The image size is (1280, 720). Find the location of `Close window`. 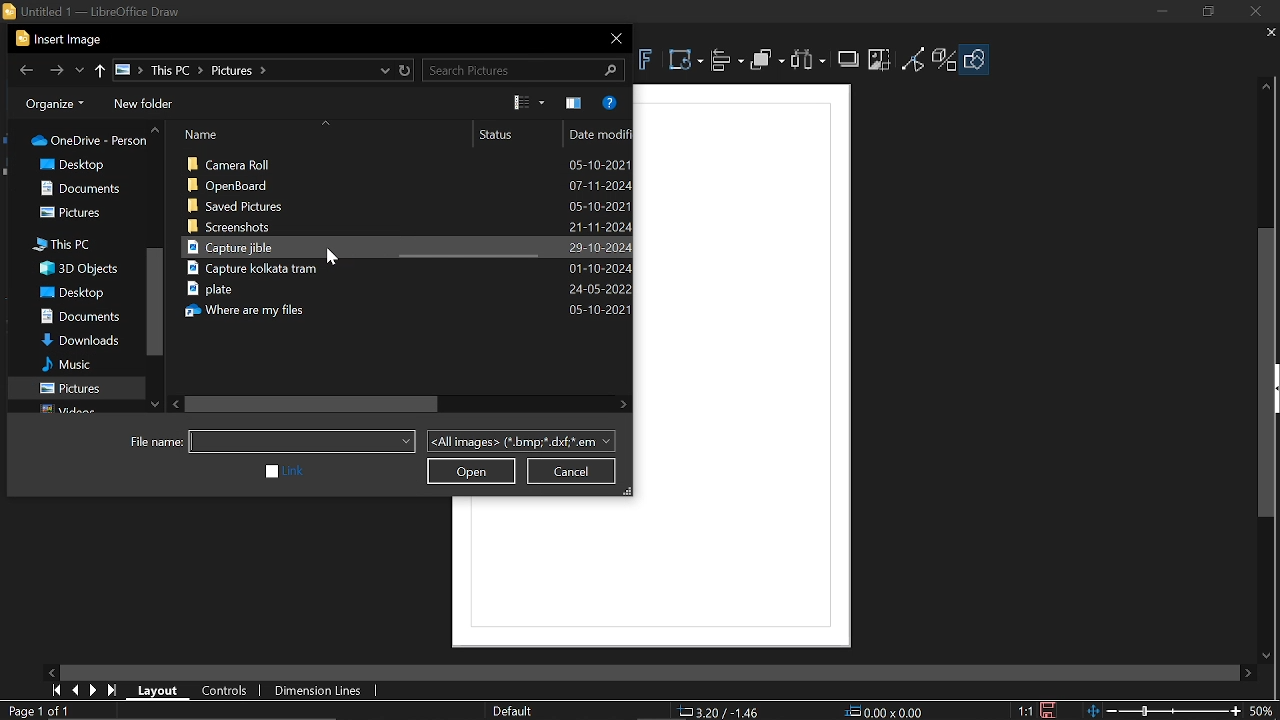

Close window is located at coordinates (605, 42).